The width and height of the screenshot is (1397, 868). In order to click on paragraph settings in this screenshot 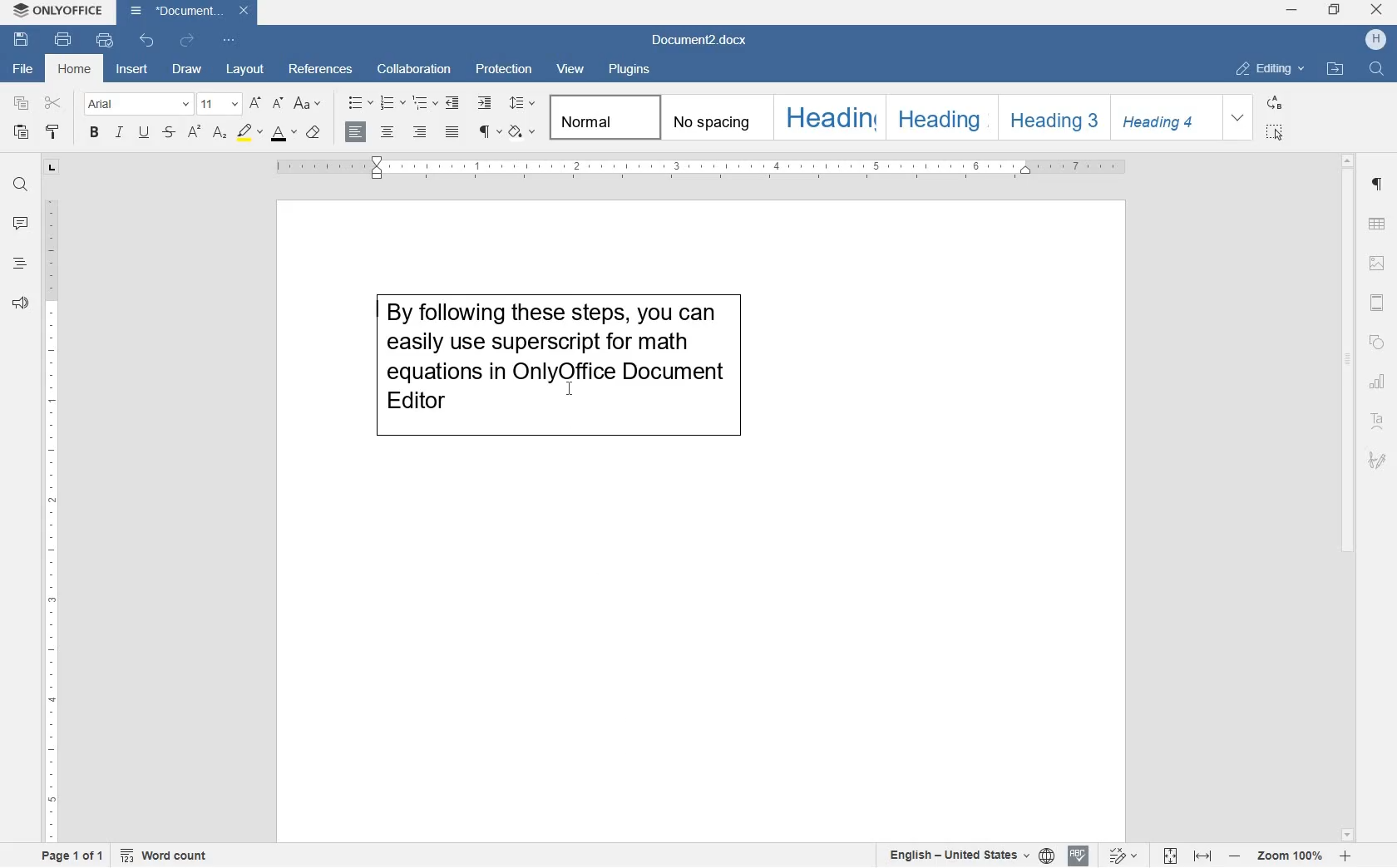, I will do `click(1377, 185)`.